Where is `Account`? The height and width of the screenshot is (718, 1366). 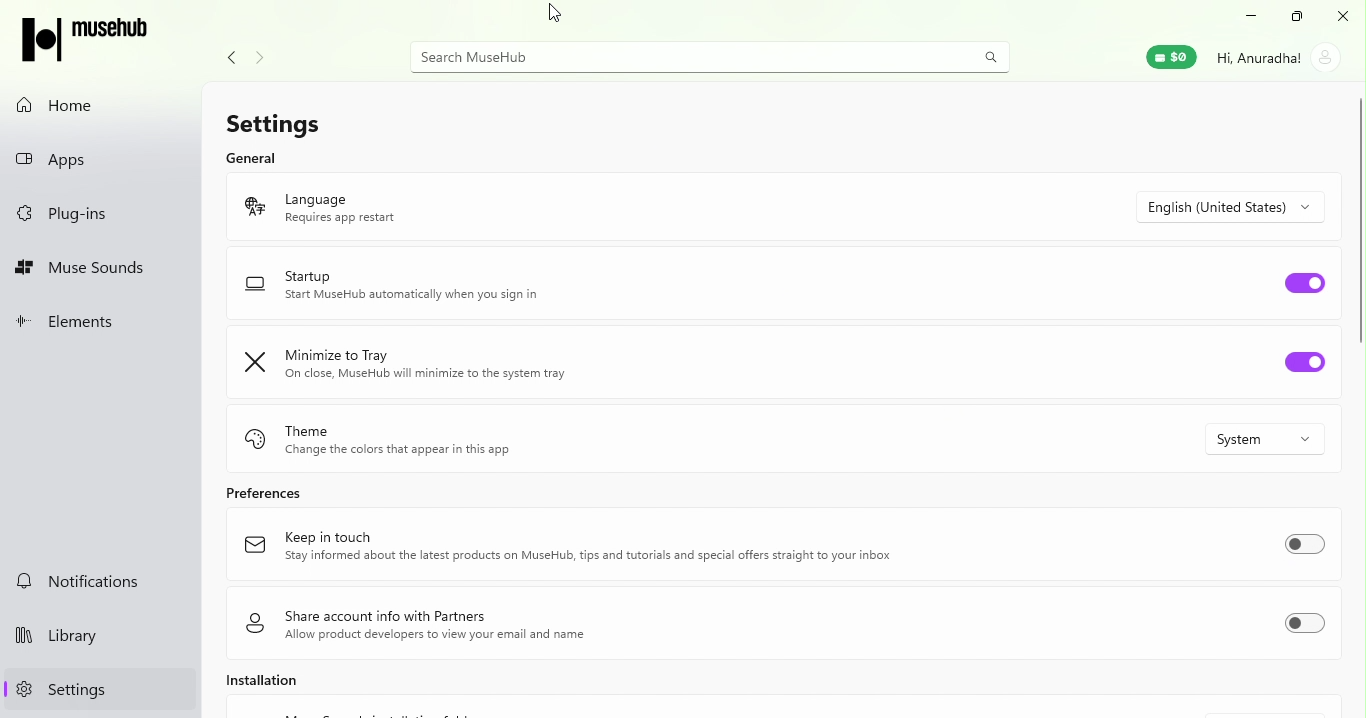 Account is located at coordinates (1277, 62).